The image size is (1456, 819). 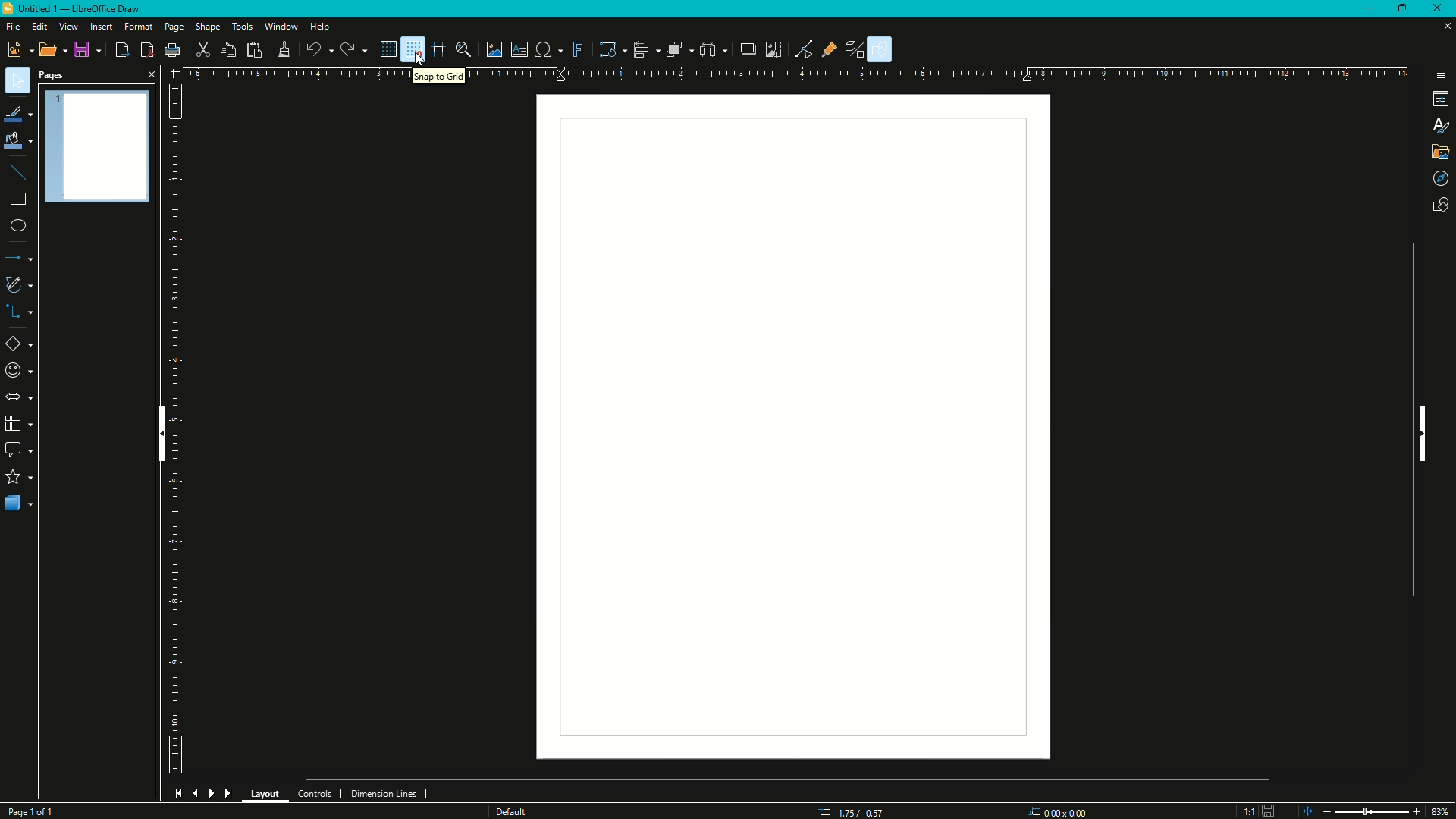 What do you see at coordinates (257, 49) in the screenshot?
I see `Paste` at bounding box center [257, 49].